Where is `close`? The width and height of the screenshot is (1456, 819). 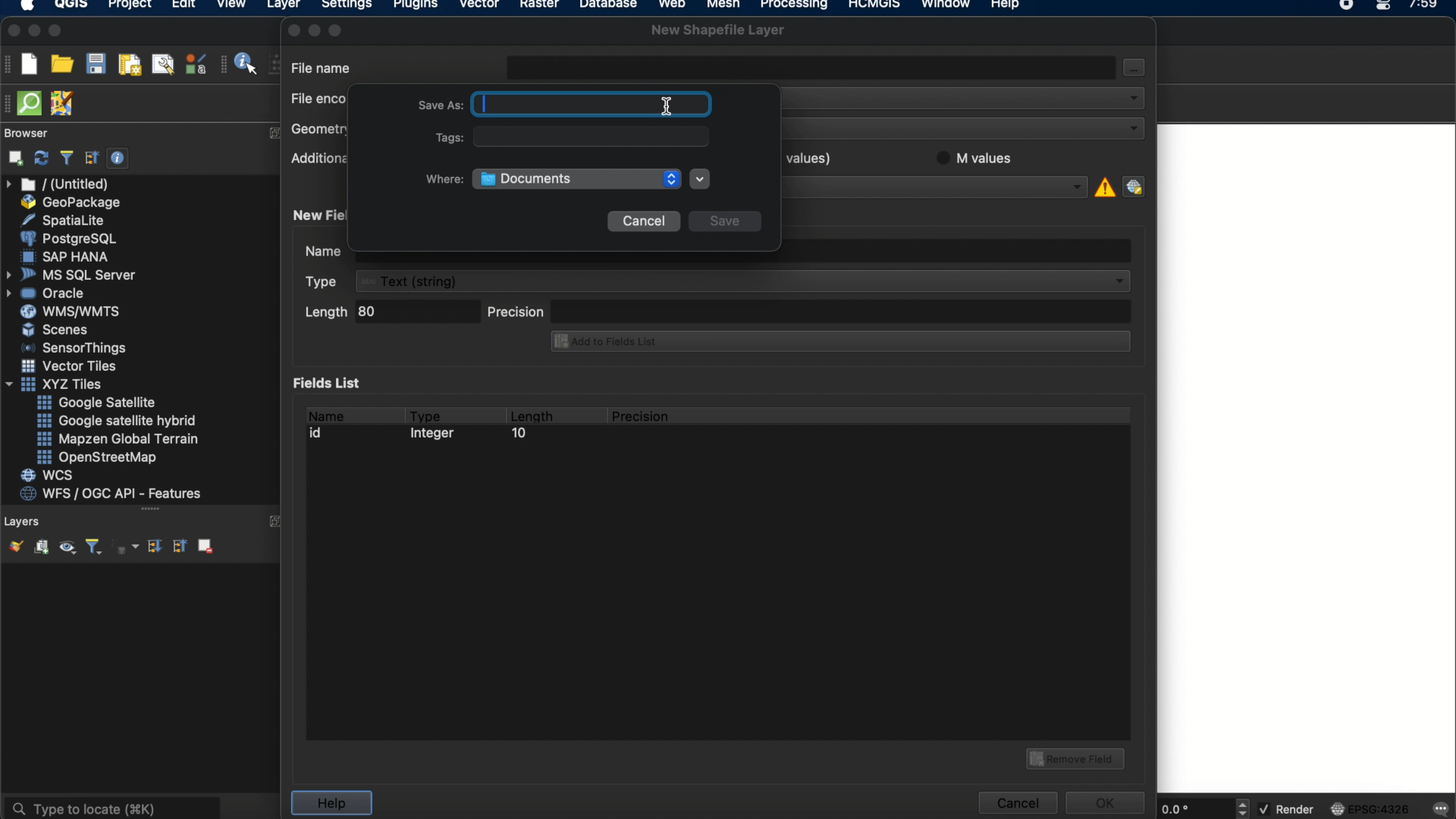 close is located at coordinates (12, 31).